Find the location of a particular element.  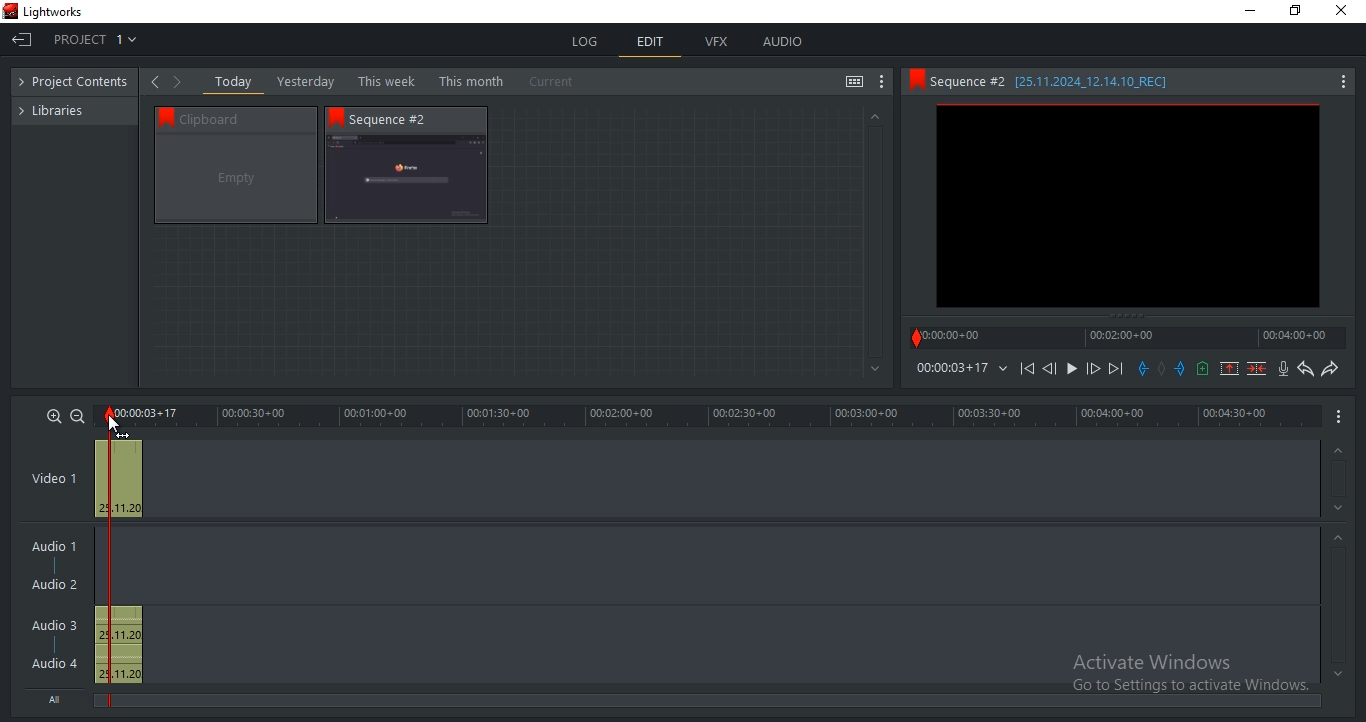

Bookmark icon is located at coordinates (915, 80).